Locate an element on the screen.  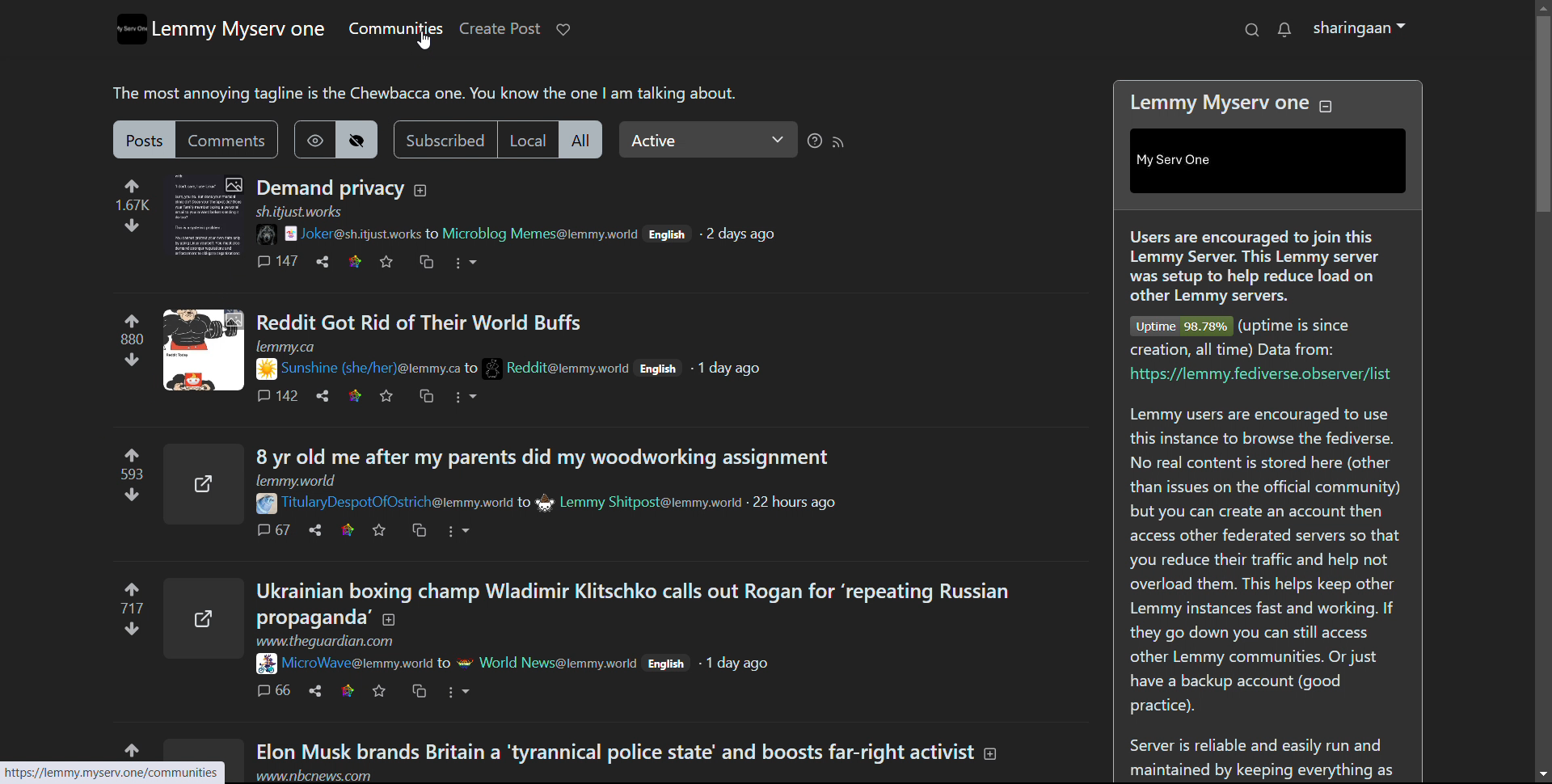
username is located at coordinates (397, 504).